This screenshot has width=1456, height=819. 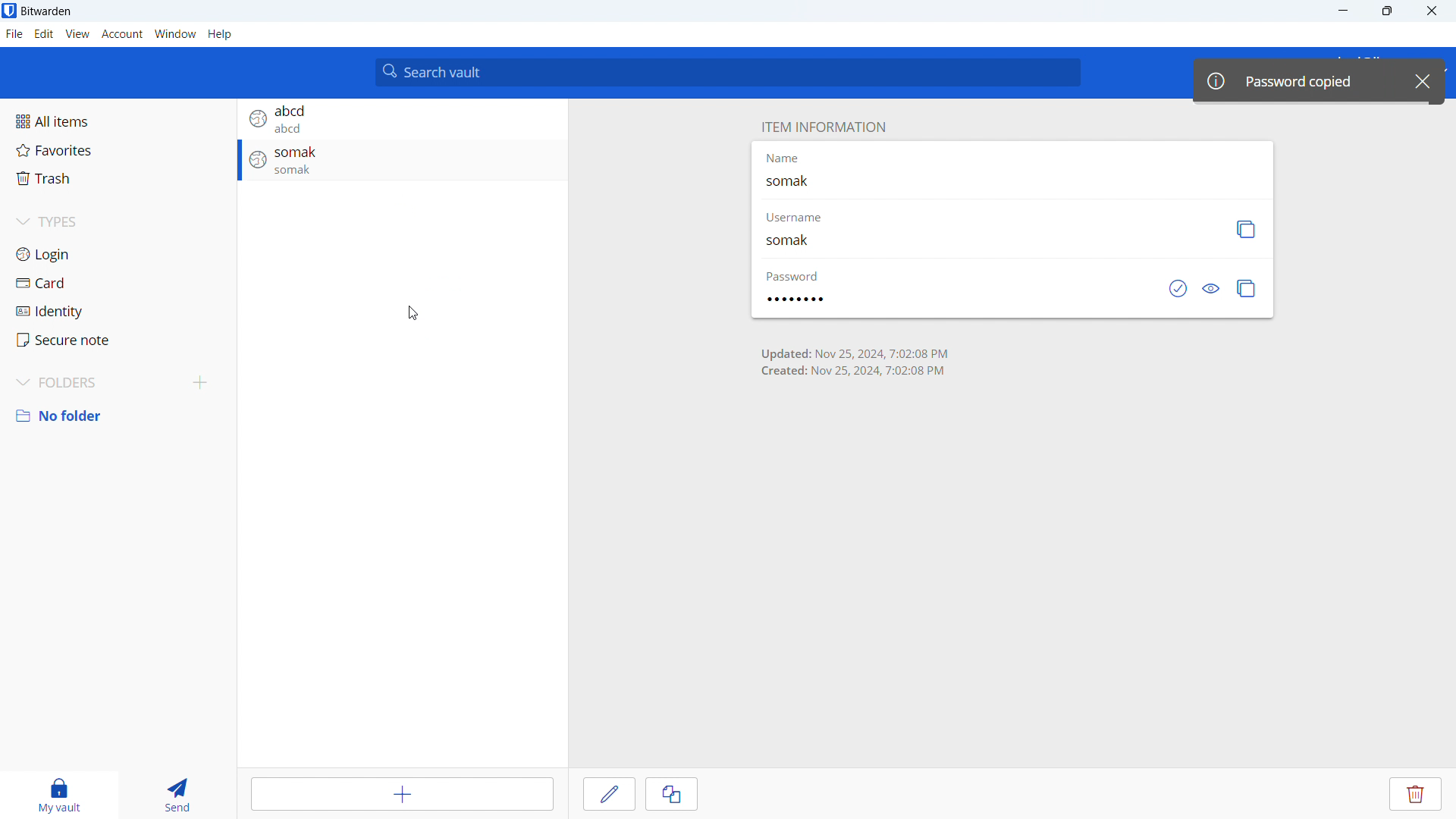 I want to click on trash, so click(x=118, y=178).